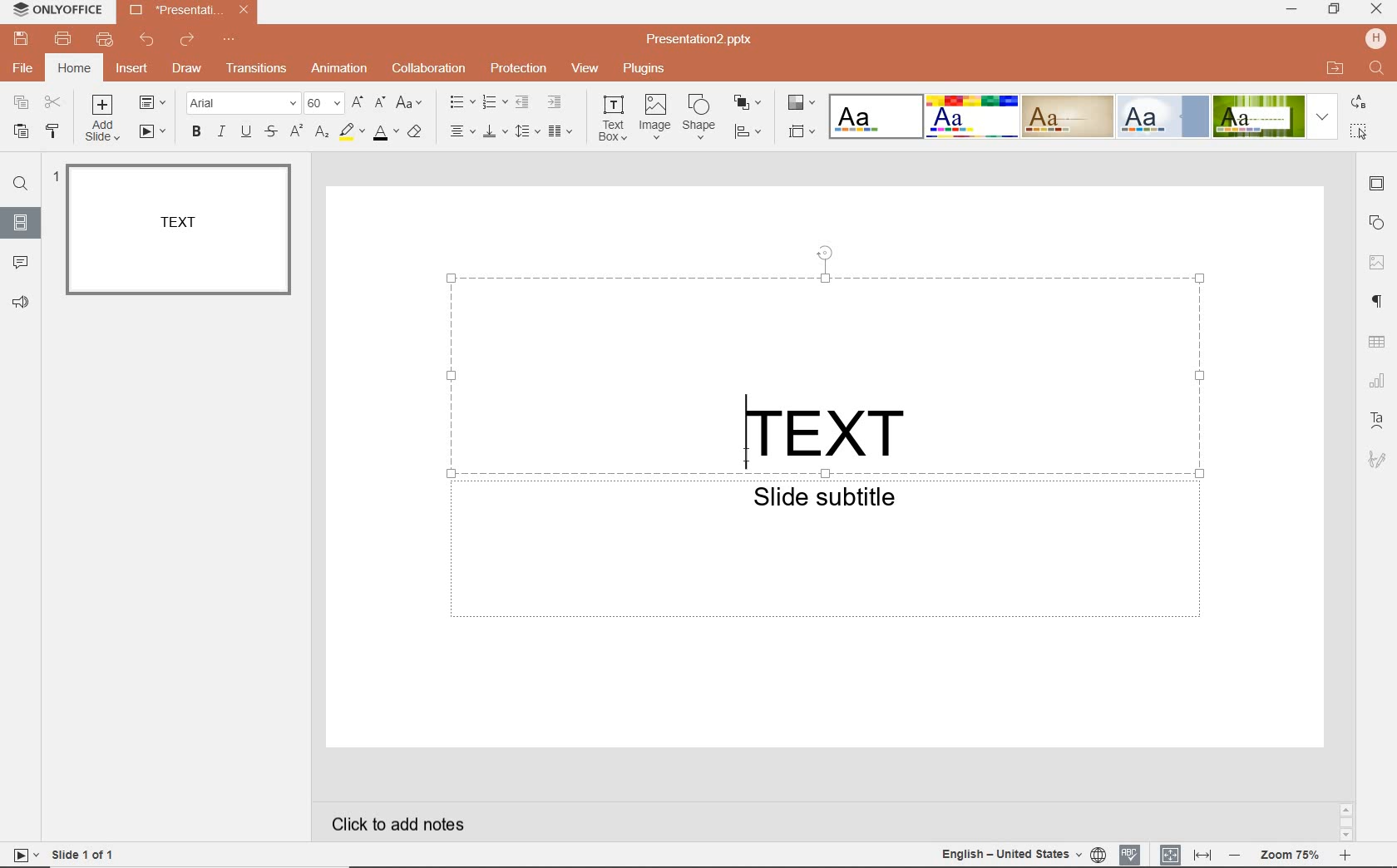  I want to click on FONT SIZE, so click(325, 104).